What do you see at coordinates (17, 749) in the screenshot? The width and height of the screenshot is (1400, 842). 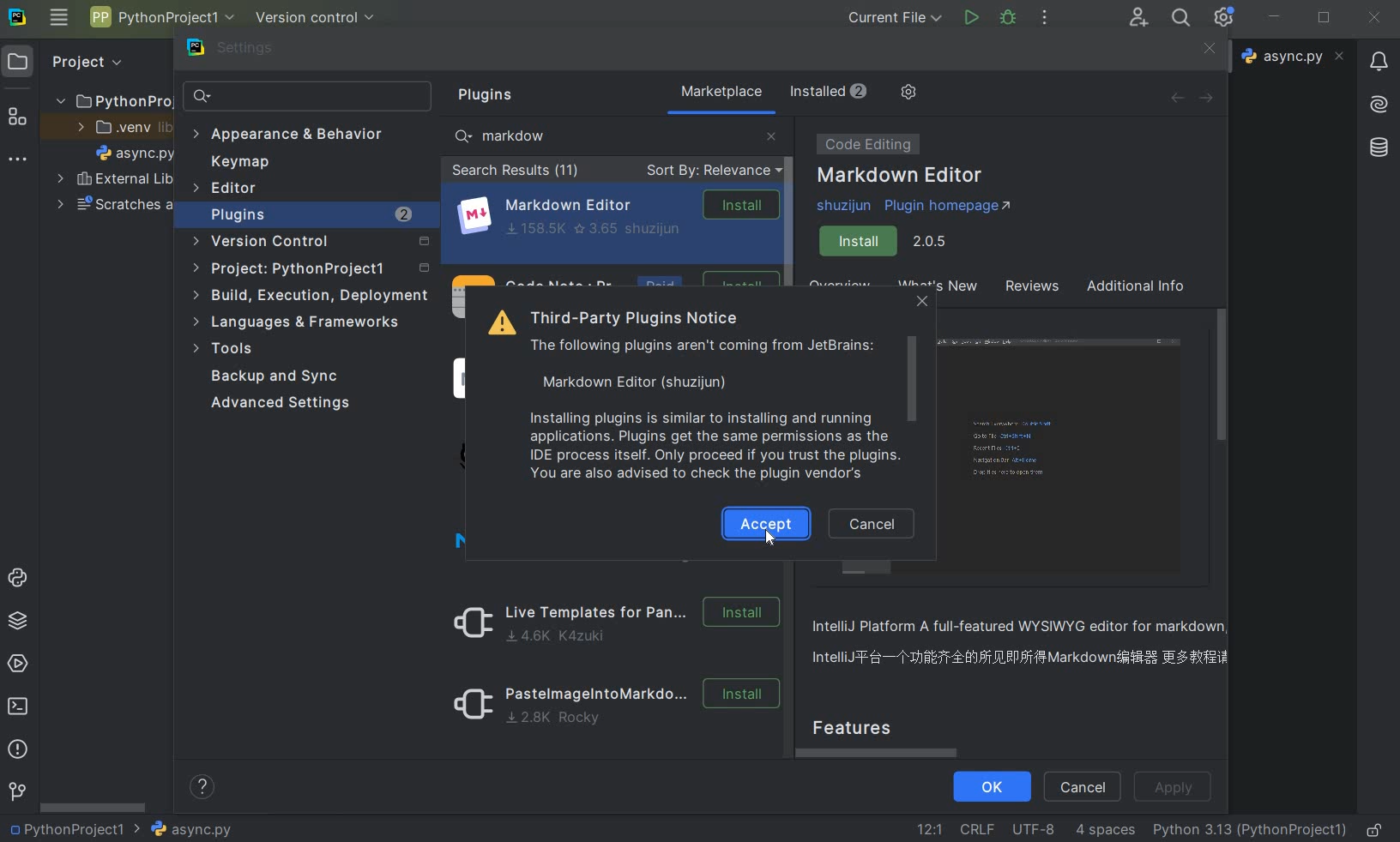 I see `problems` at bounding box center [17, 749].